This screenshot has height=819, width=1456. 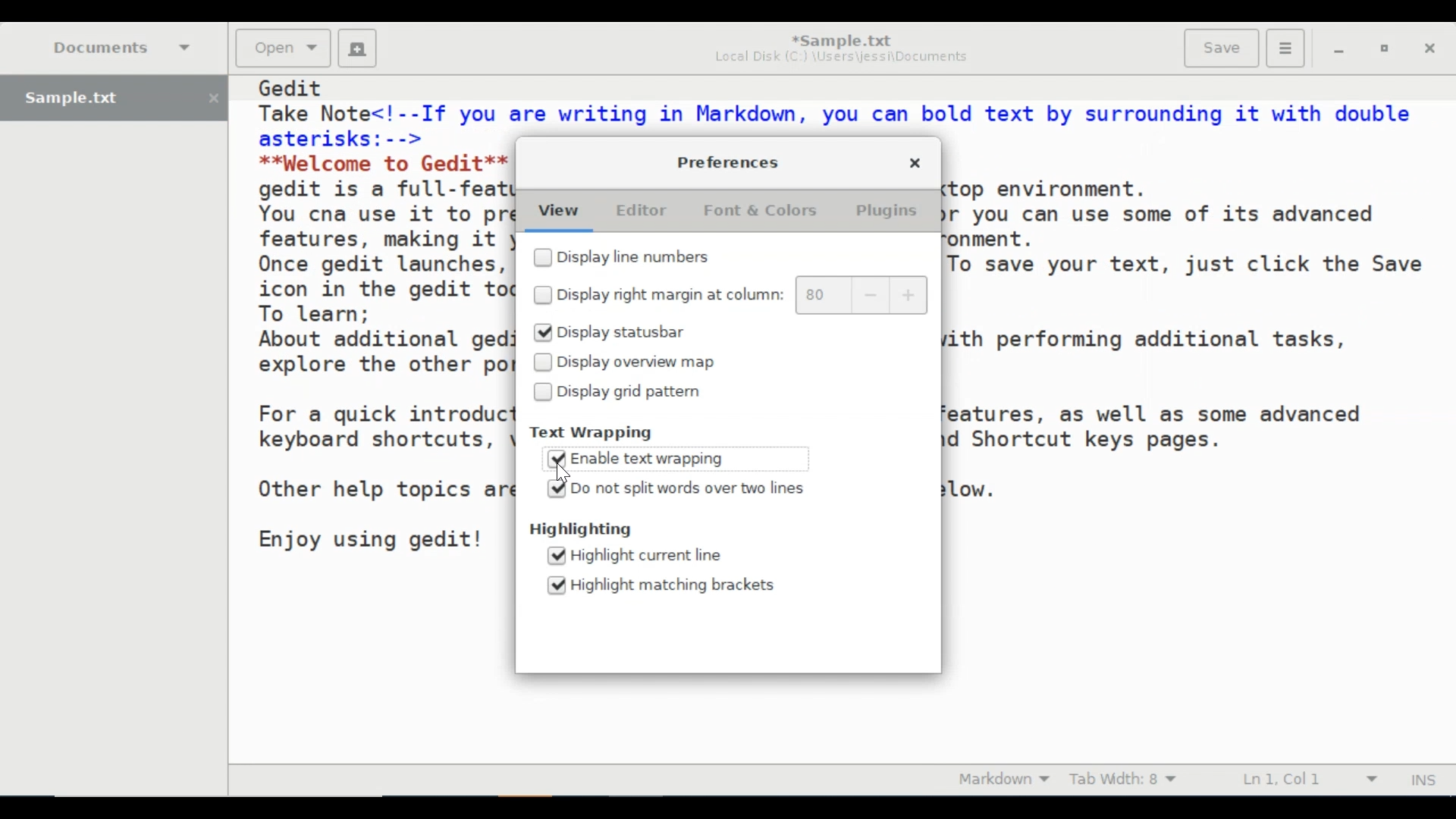 I want to click on Application menu, so click(x=1285, y=47).